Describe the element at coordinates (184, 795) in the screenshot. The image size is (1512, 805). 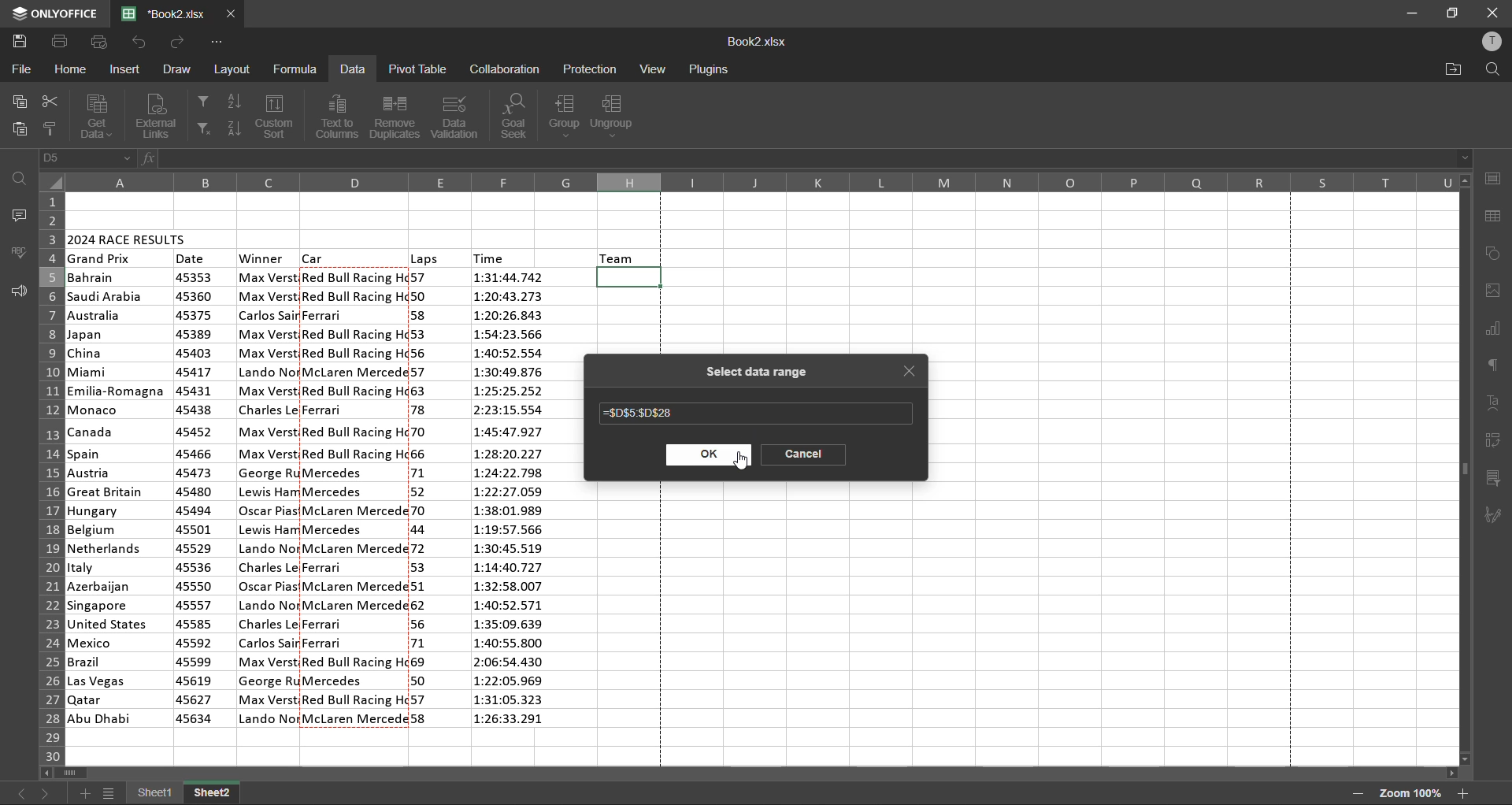
I see `sheet names` at that location.